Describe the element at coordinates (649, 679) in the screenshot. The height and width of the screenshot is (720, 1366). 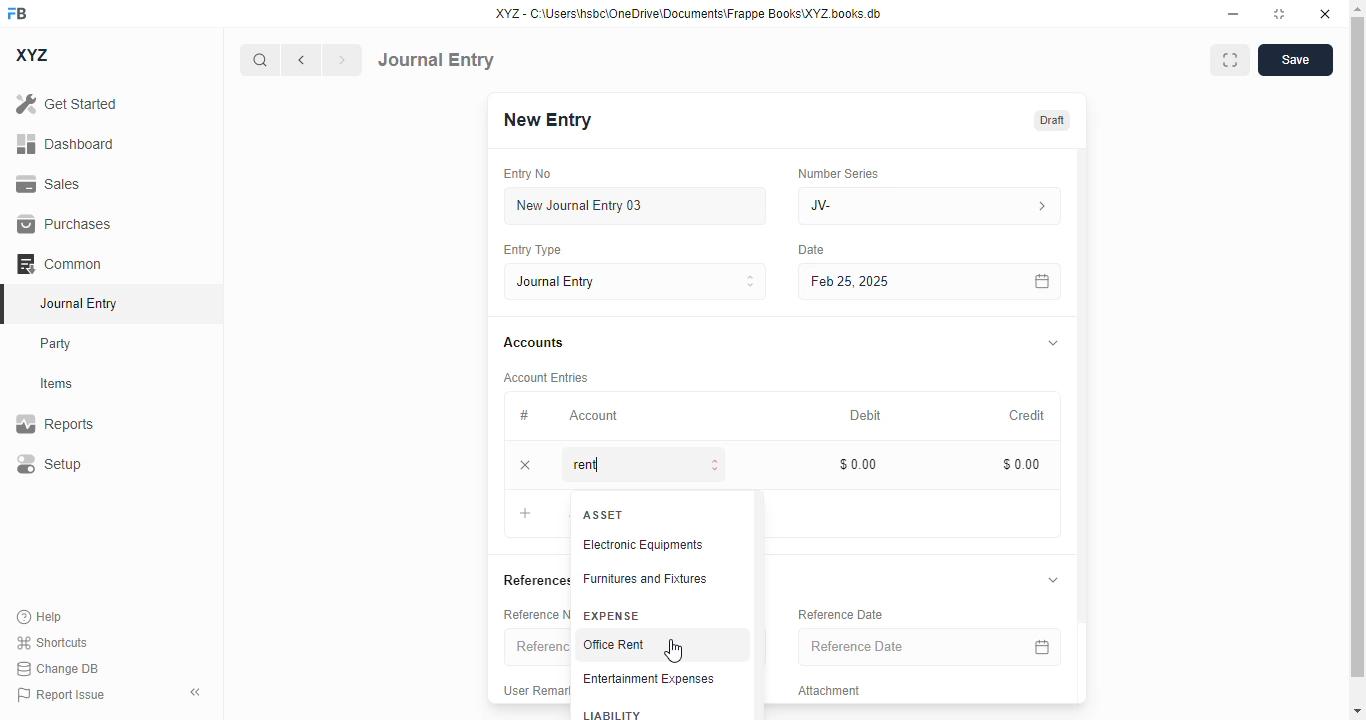
I see `entertainment expenses` at that location.